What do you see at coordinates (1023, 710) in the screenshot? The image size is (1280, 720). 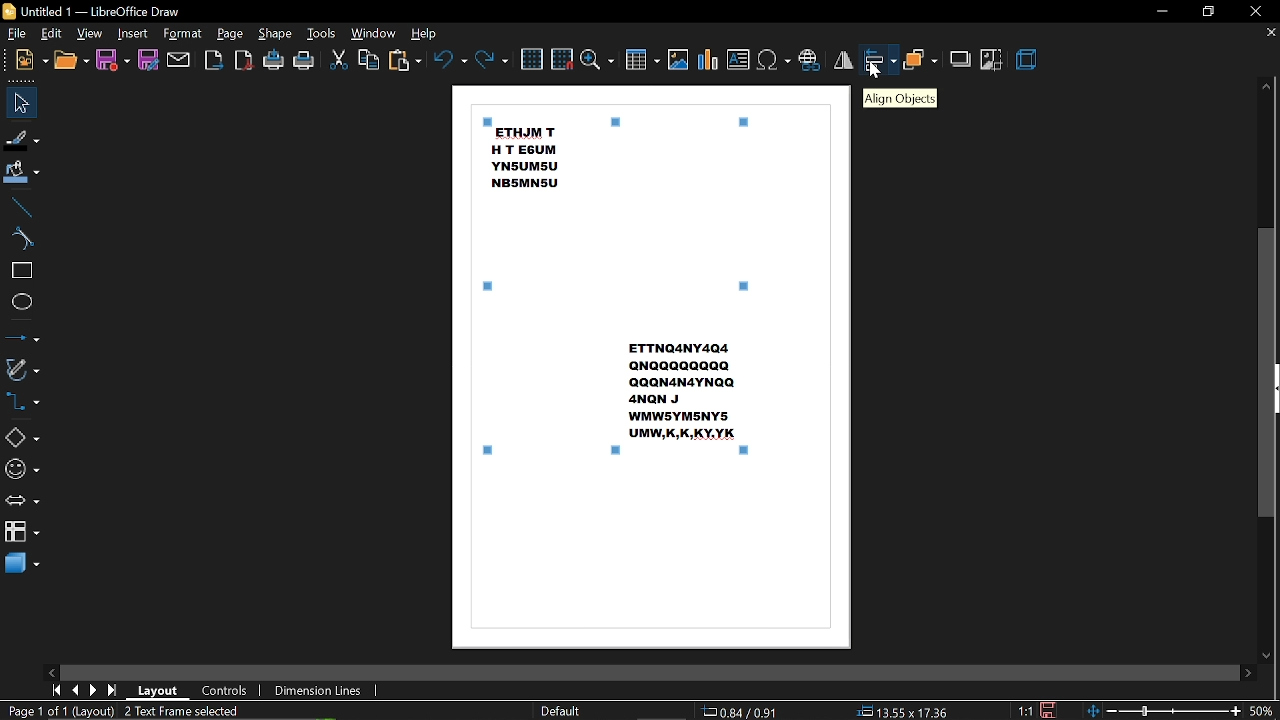 I see `1:1` at bounding box center [1023, 710].